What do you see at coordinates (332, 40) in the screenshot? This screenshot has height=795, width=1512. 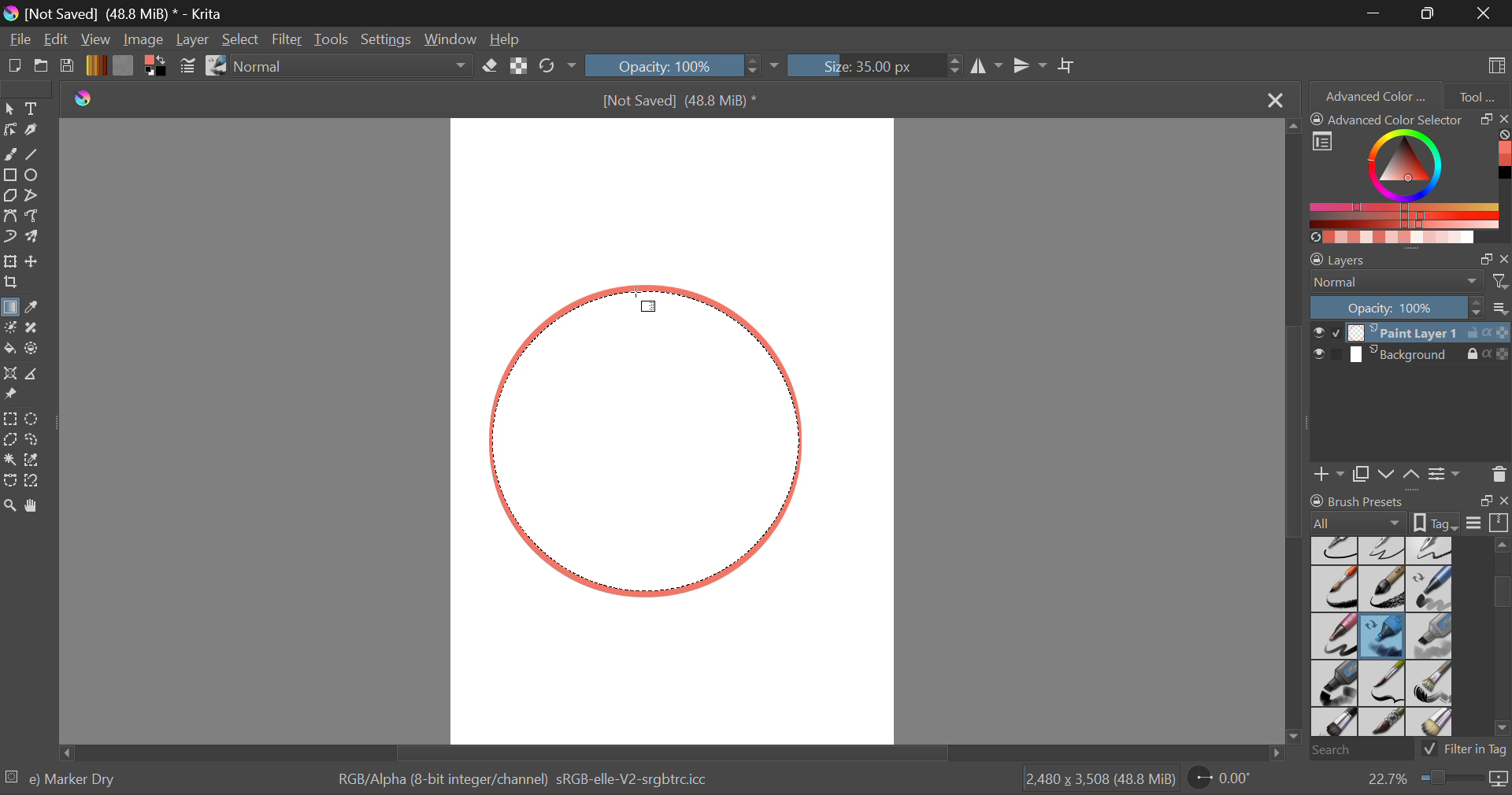 I see `Tools` at bounding box center [332, 40].